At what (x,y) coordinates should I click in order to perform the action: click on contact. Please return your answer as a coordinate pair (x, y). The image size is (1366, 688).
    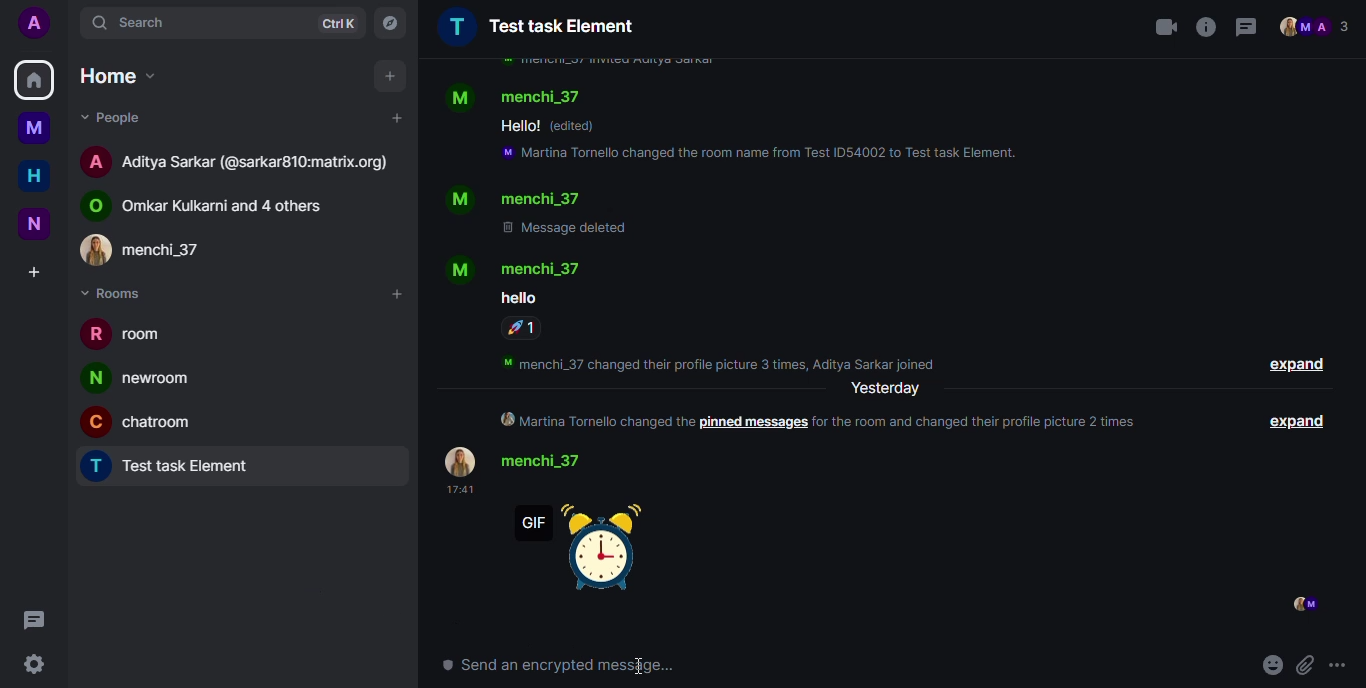
    Looking at the image, I should click on (518, 268).